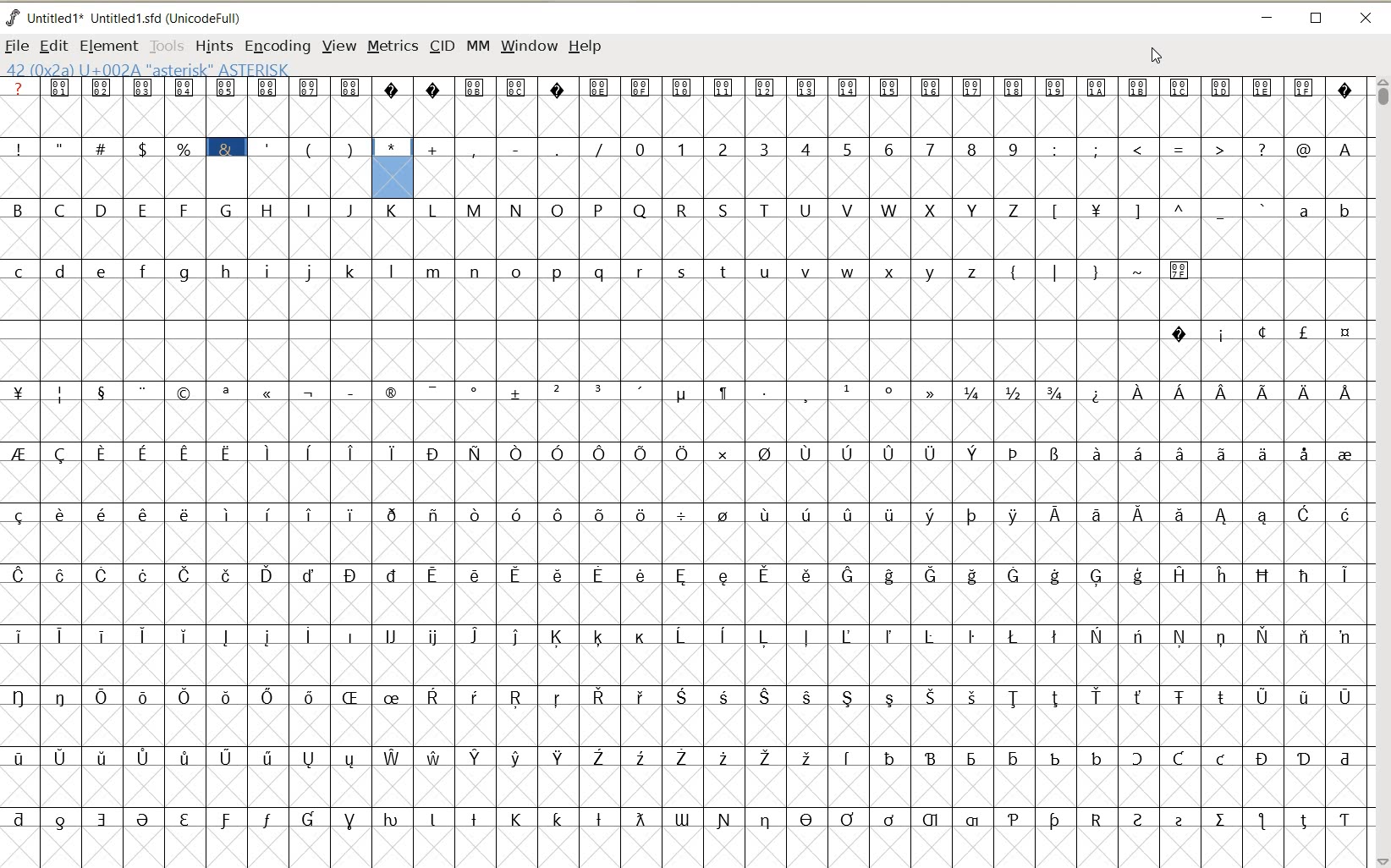  What do you see at coordinates (54, 45) in the screenshot?
I see `EDIT` at bounding box center [54, 45].